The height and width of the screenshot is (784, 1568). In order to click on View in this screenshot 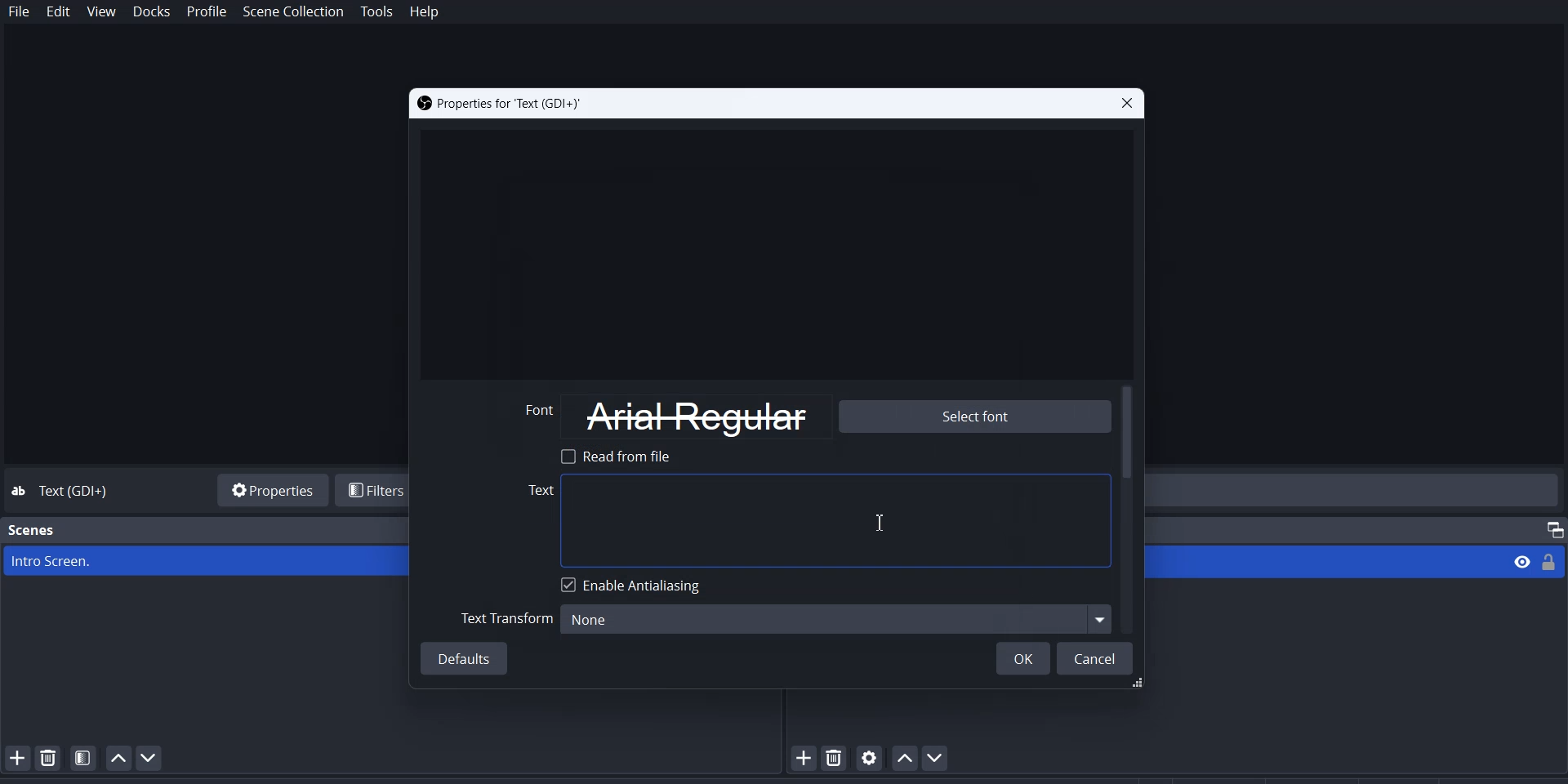, I will do `click(1517, 561)`.